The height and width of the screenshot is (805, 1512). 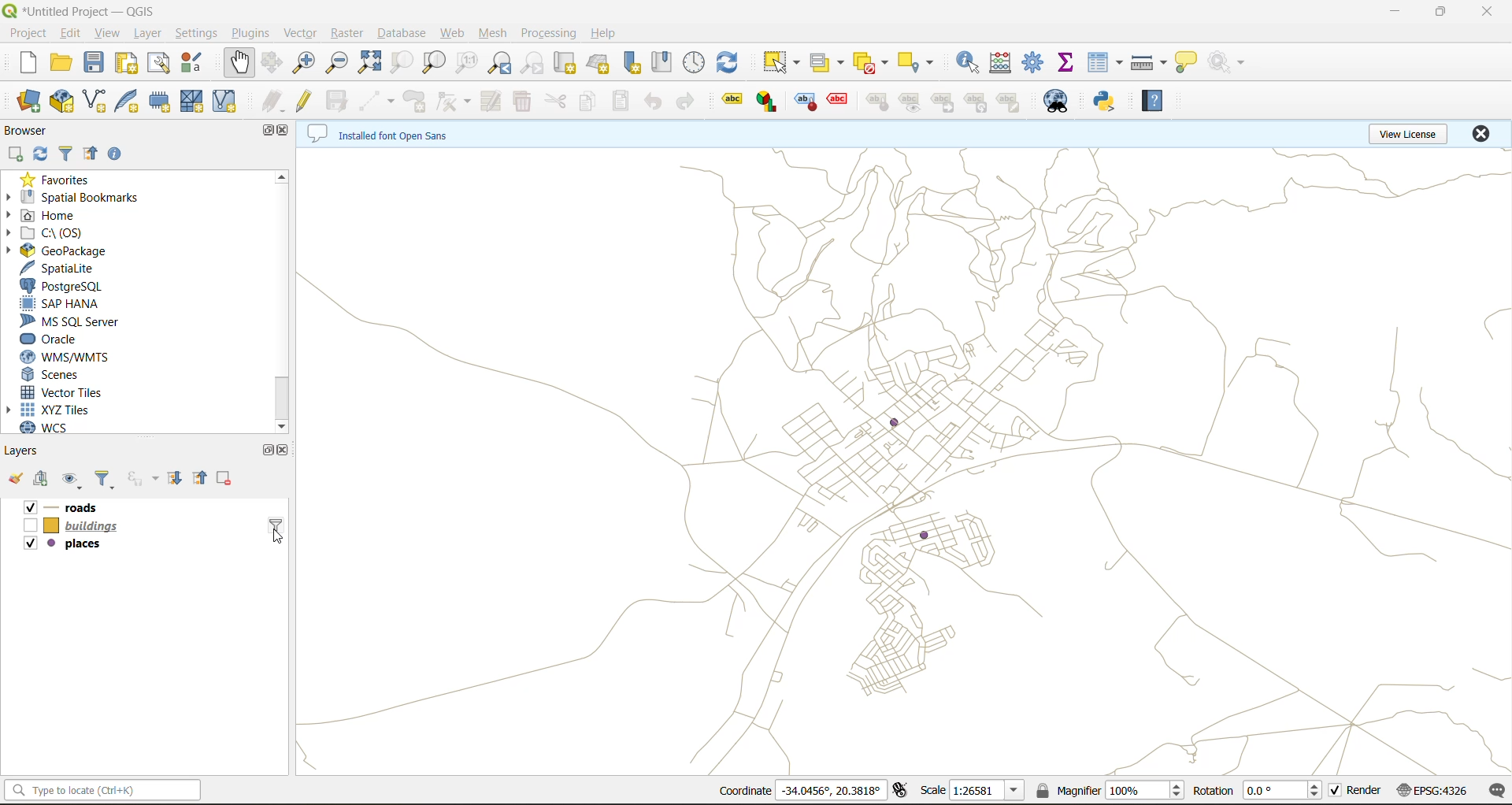 What do you see at coordinates (1008, 102) in the screenshot?
I see `edit label` at bounding box center [1008, 102].